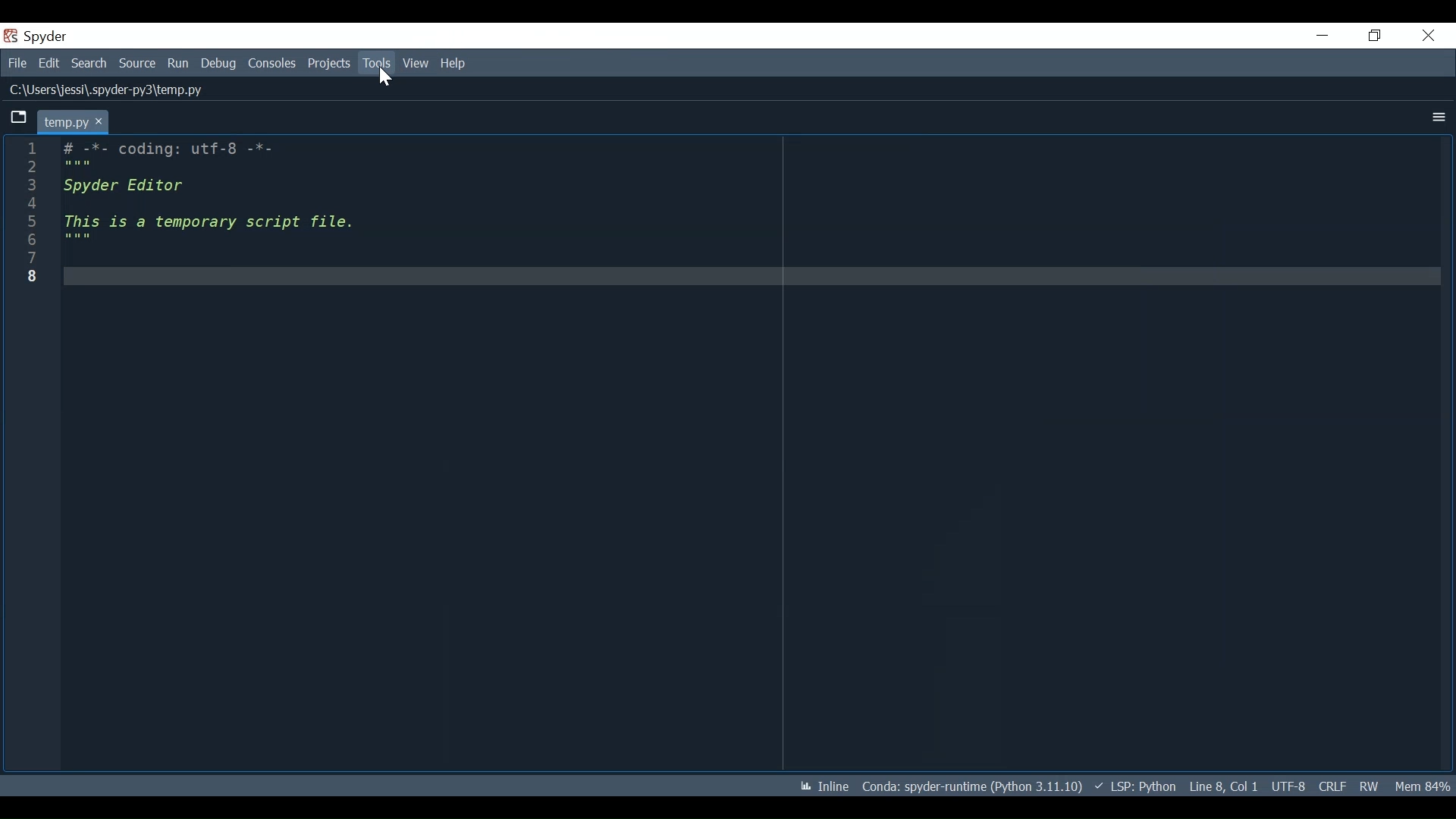 Image resolution: width=1456 pixels, height=819 pixels. What do you see at coordinates (178, 65) in the screenshot?
I see `Run` at bounding box center [178, 65].